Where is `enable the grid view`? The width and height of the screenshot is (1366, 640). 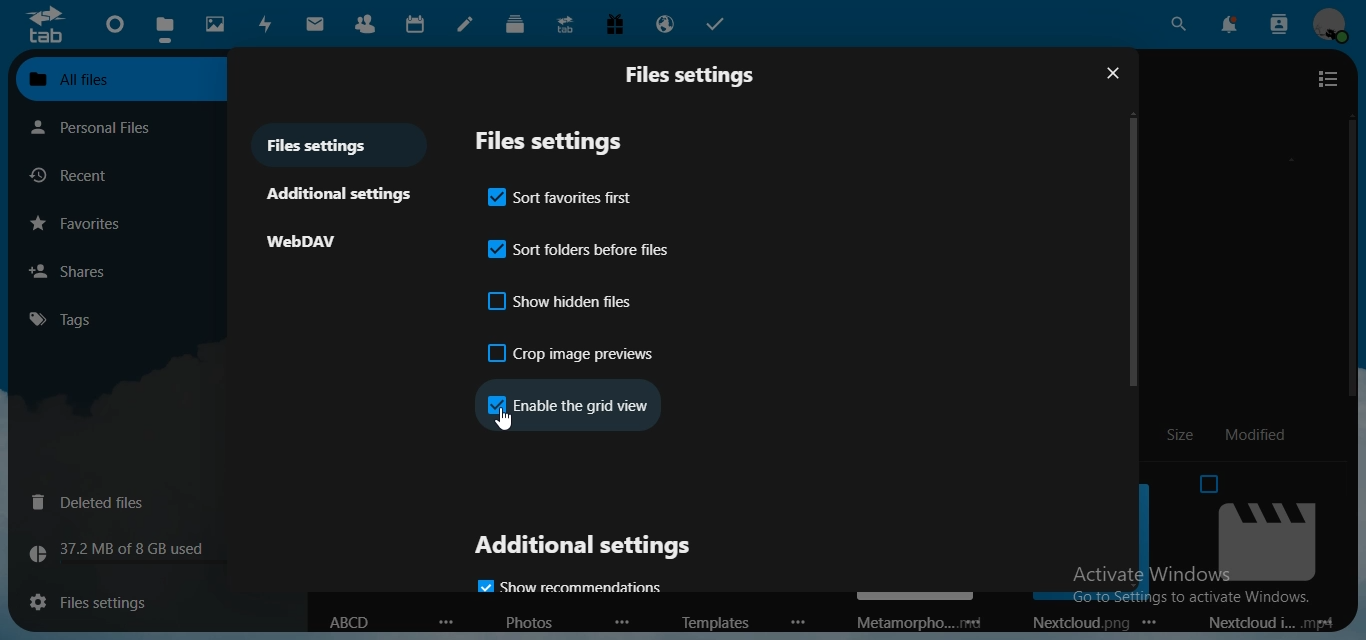
enable the grid view is located at coordinates (567, 403).